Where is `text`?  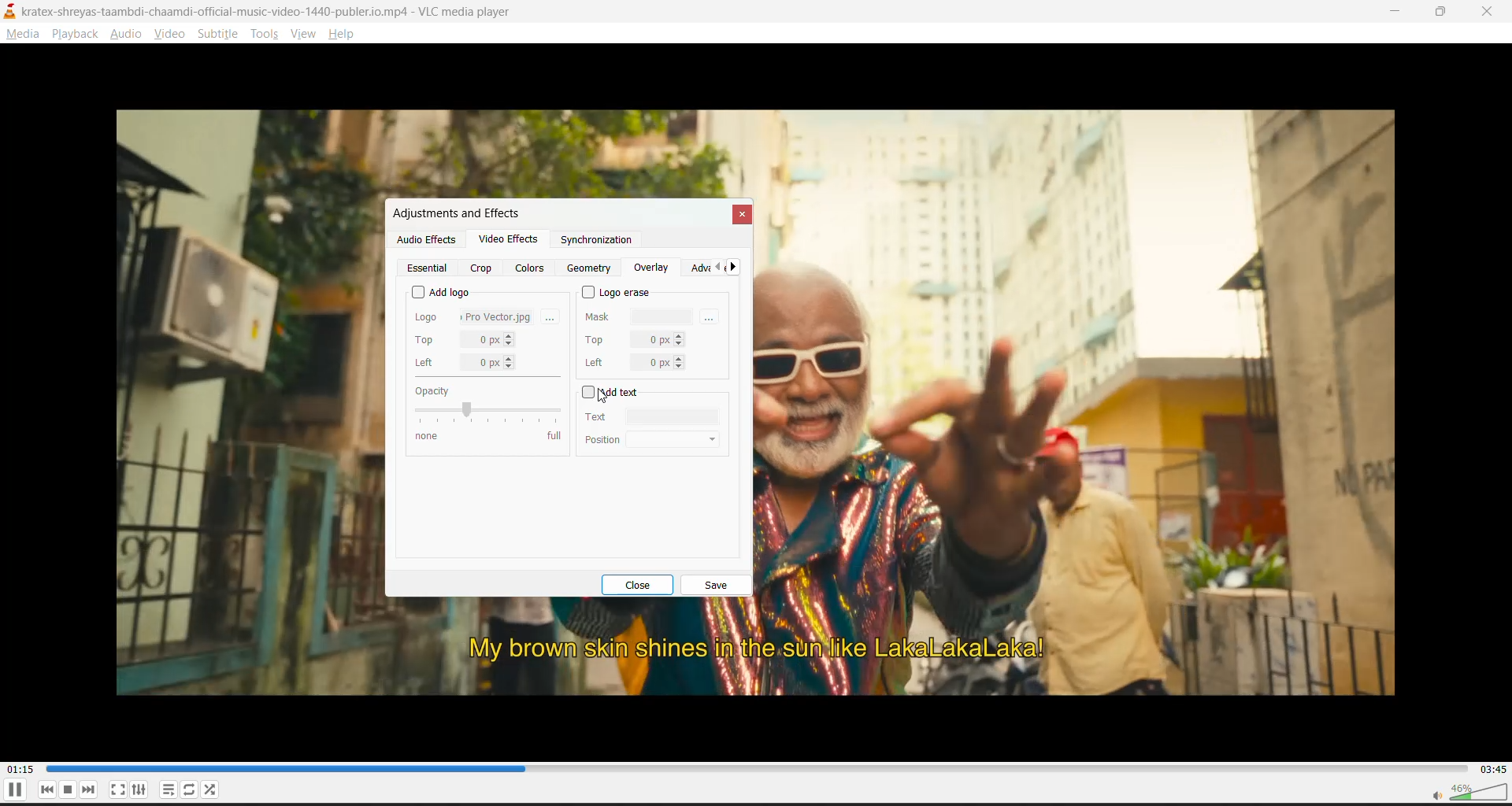
text is located at coordinates (644, 416).